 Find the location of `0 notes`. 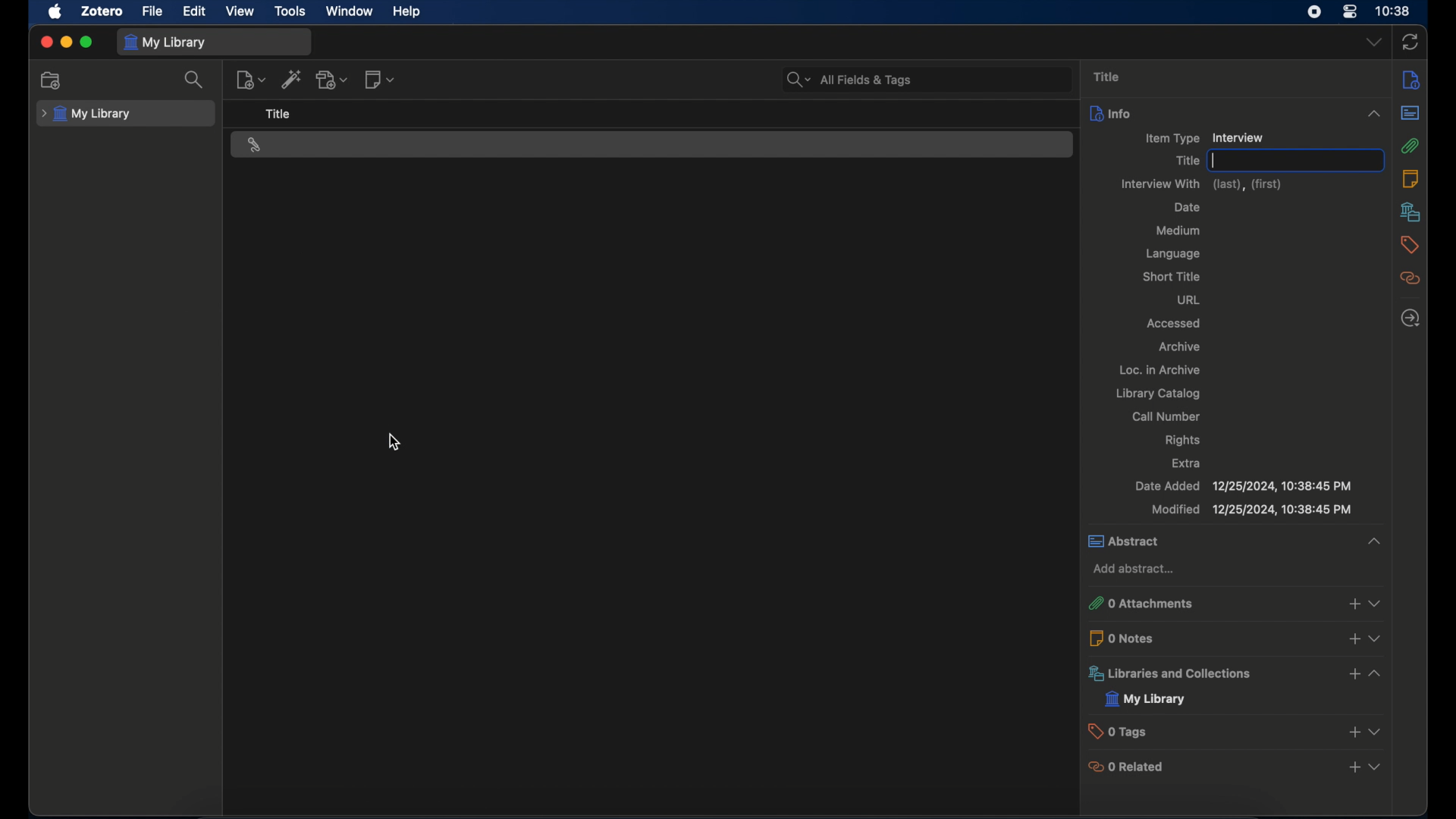

0 notes is located at coordinates (1127, 638).